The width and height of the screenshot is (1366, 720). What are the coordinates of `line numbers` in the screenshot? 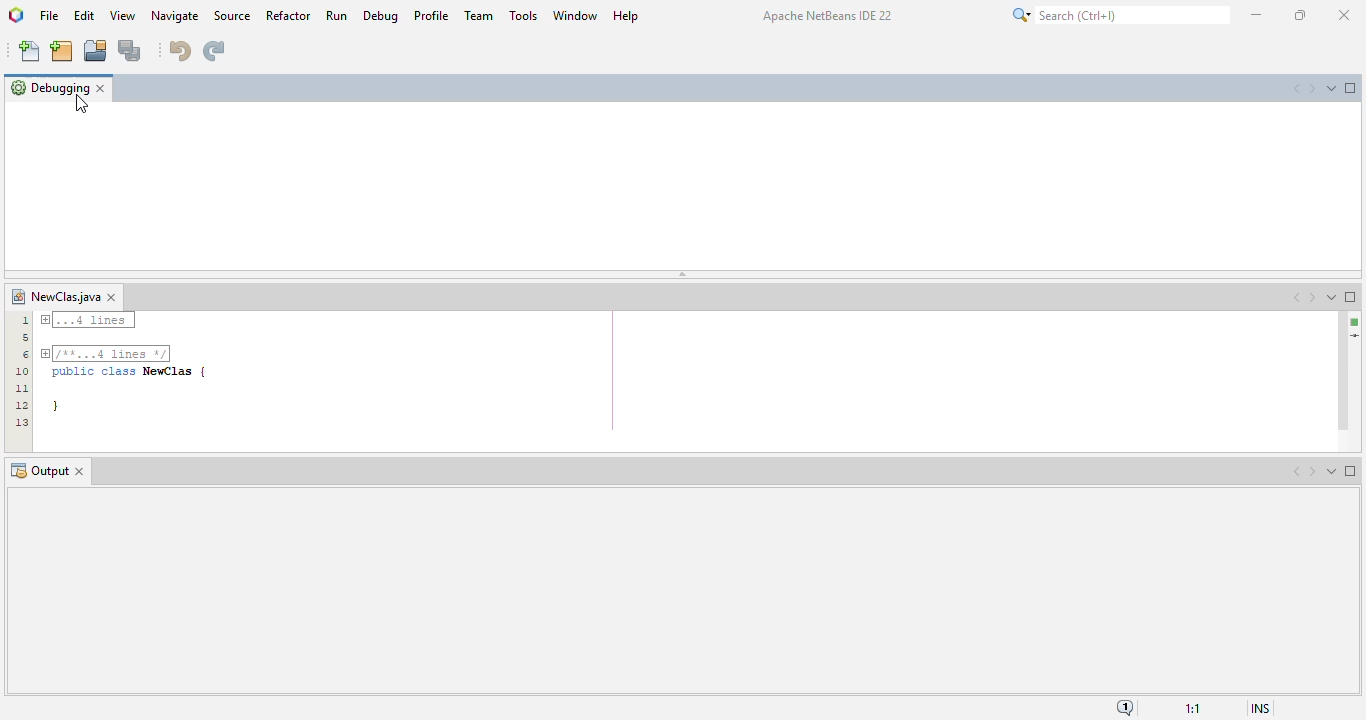 It's located at (21, 370).